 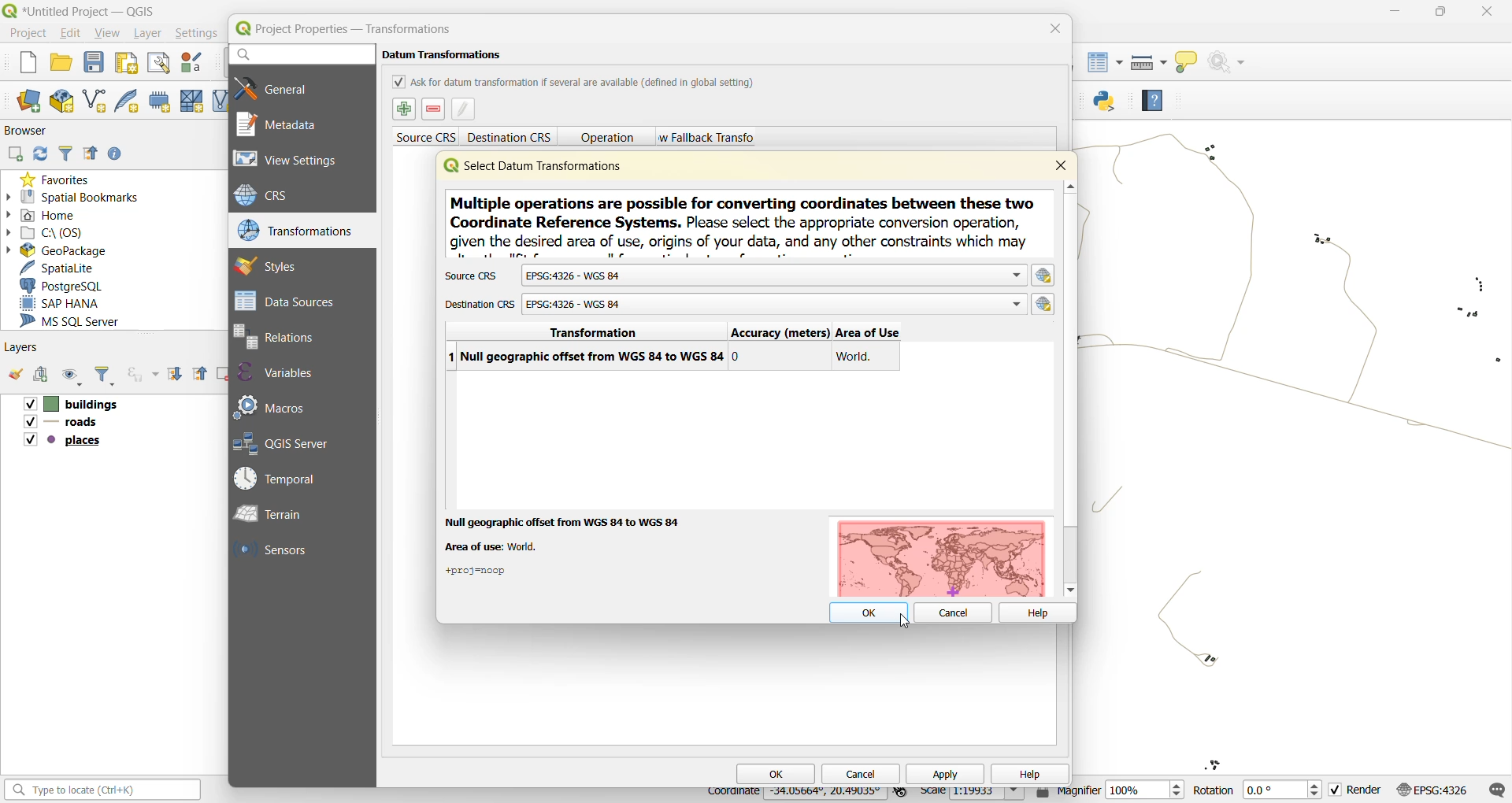 What do you see at coordinates (33, 102) in the screenshot?
I see `new data source manager` at bounding box center [33, 102].